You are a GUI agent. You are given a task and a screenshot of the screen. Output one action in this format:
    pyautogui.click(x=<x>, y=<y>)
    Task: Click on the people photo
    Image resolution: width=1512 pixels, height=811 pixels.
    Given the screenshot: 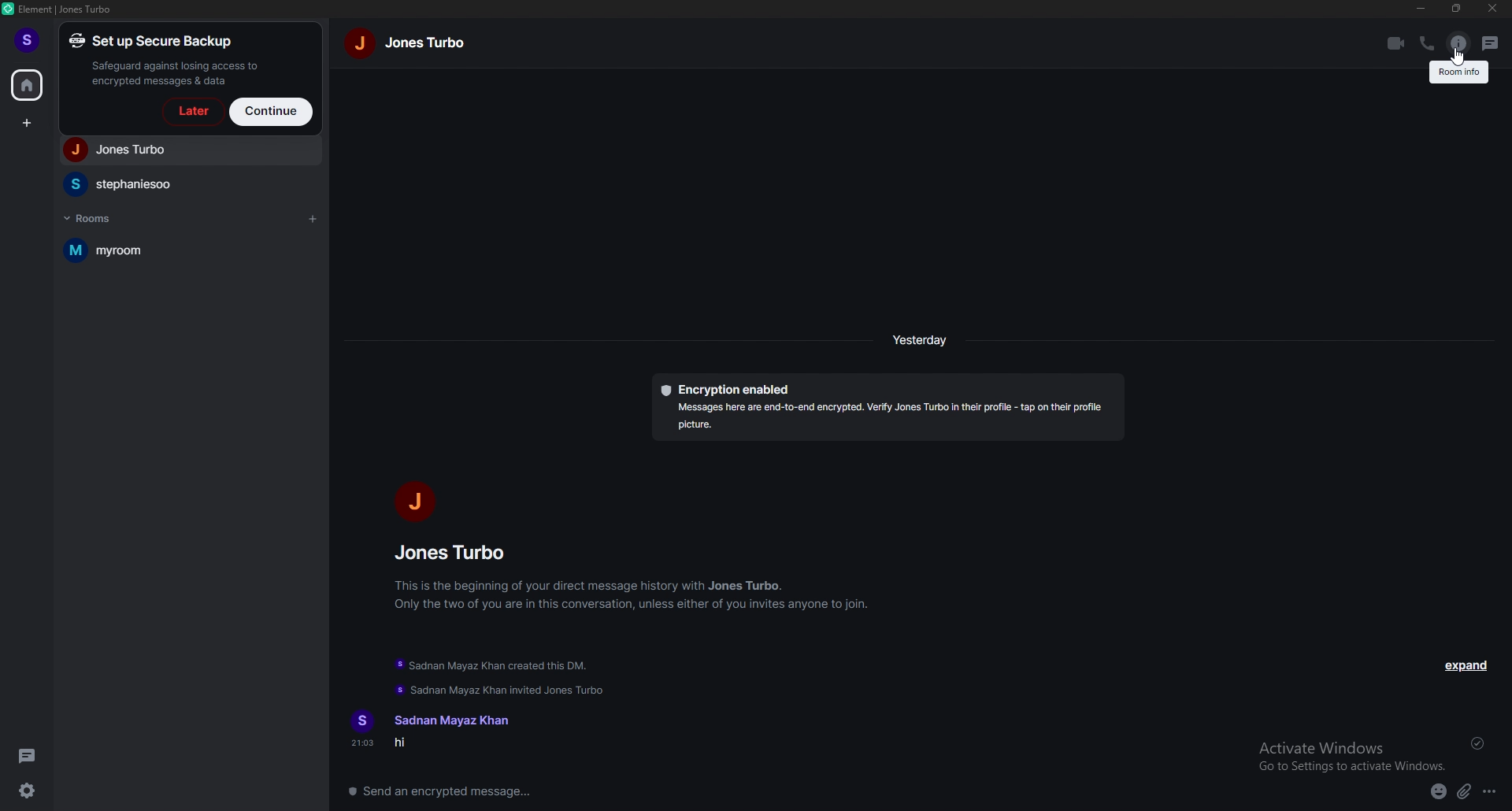 What is the action you would take?
    pyautogui.click(x=412, y=501)
    